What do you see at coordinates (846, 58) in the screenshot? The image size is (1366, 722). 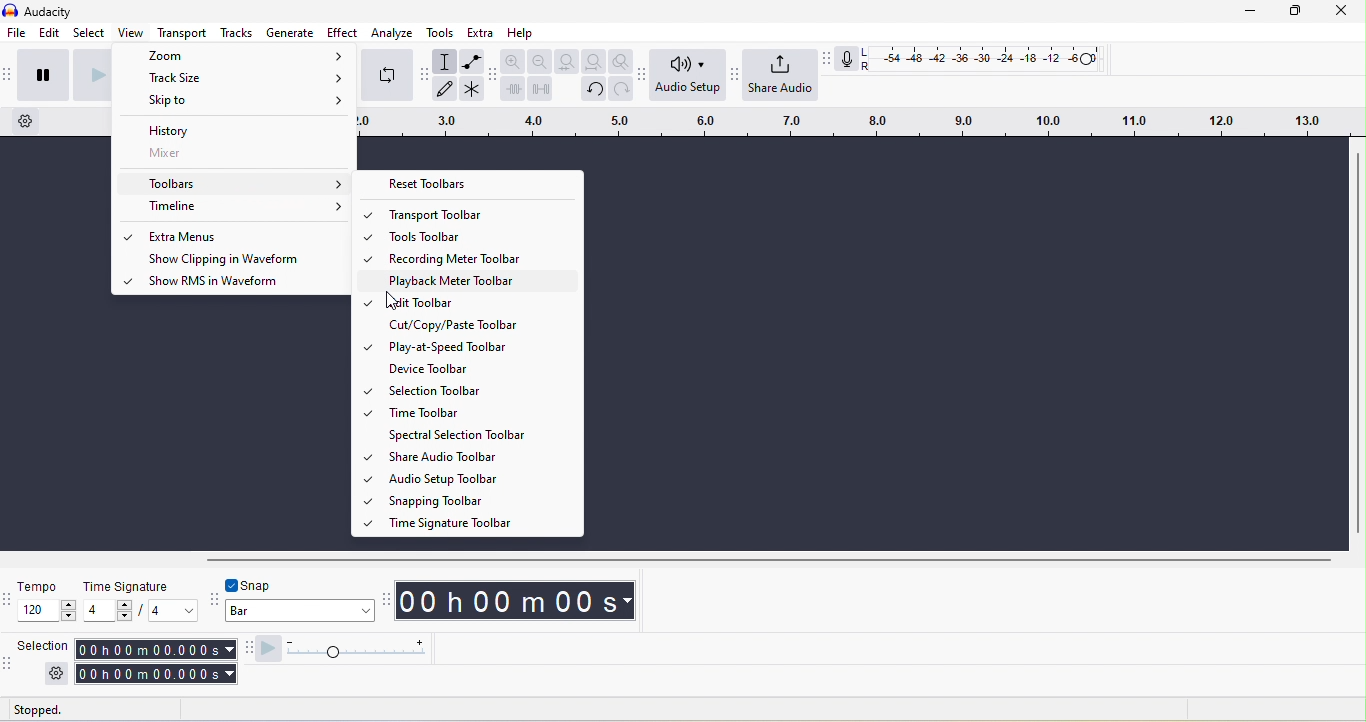 I see `recording meter` at bounding box center [846, 58].